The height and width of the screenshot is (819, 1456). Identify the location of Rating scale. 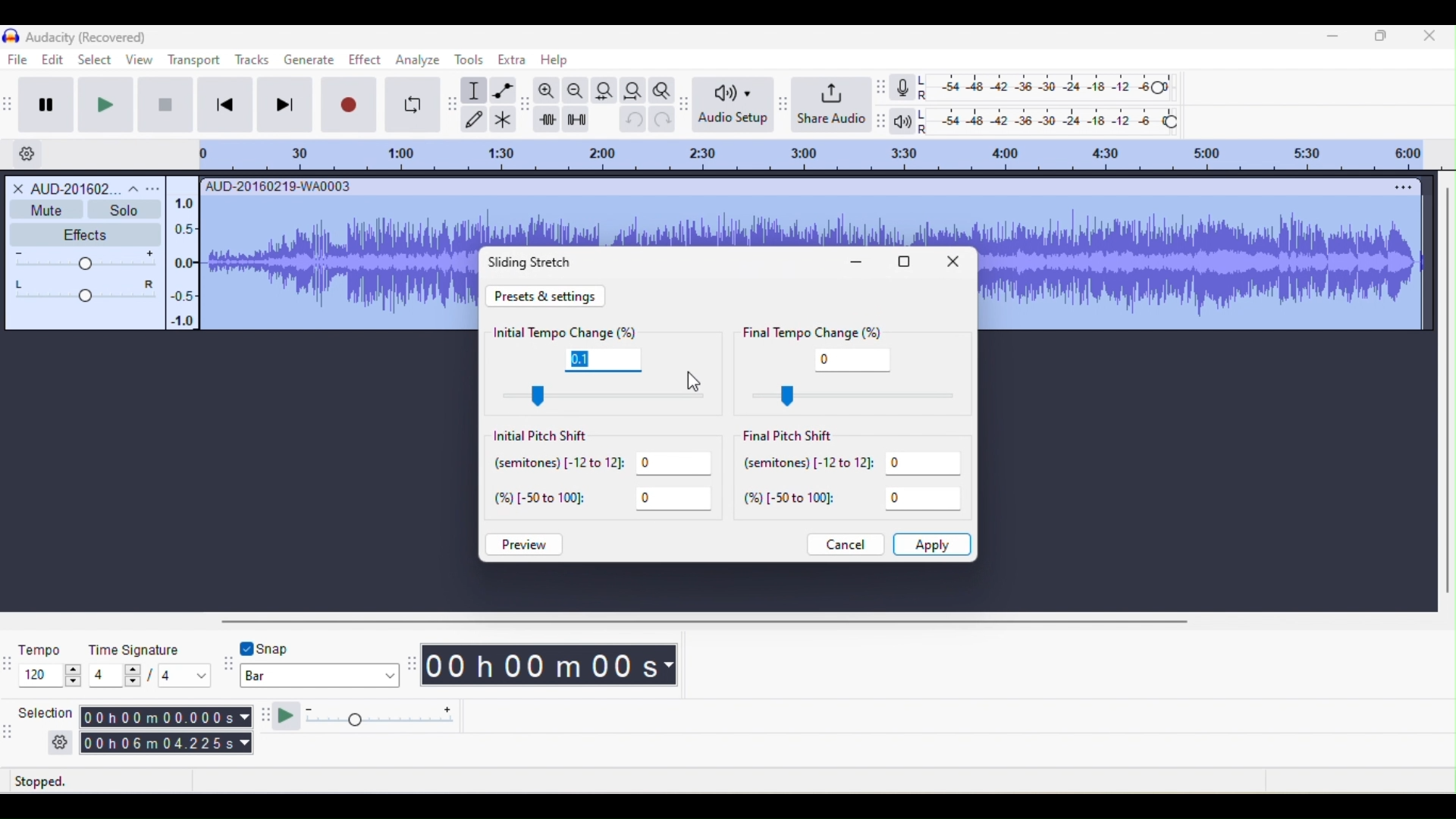
(796, 155).